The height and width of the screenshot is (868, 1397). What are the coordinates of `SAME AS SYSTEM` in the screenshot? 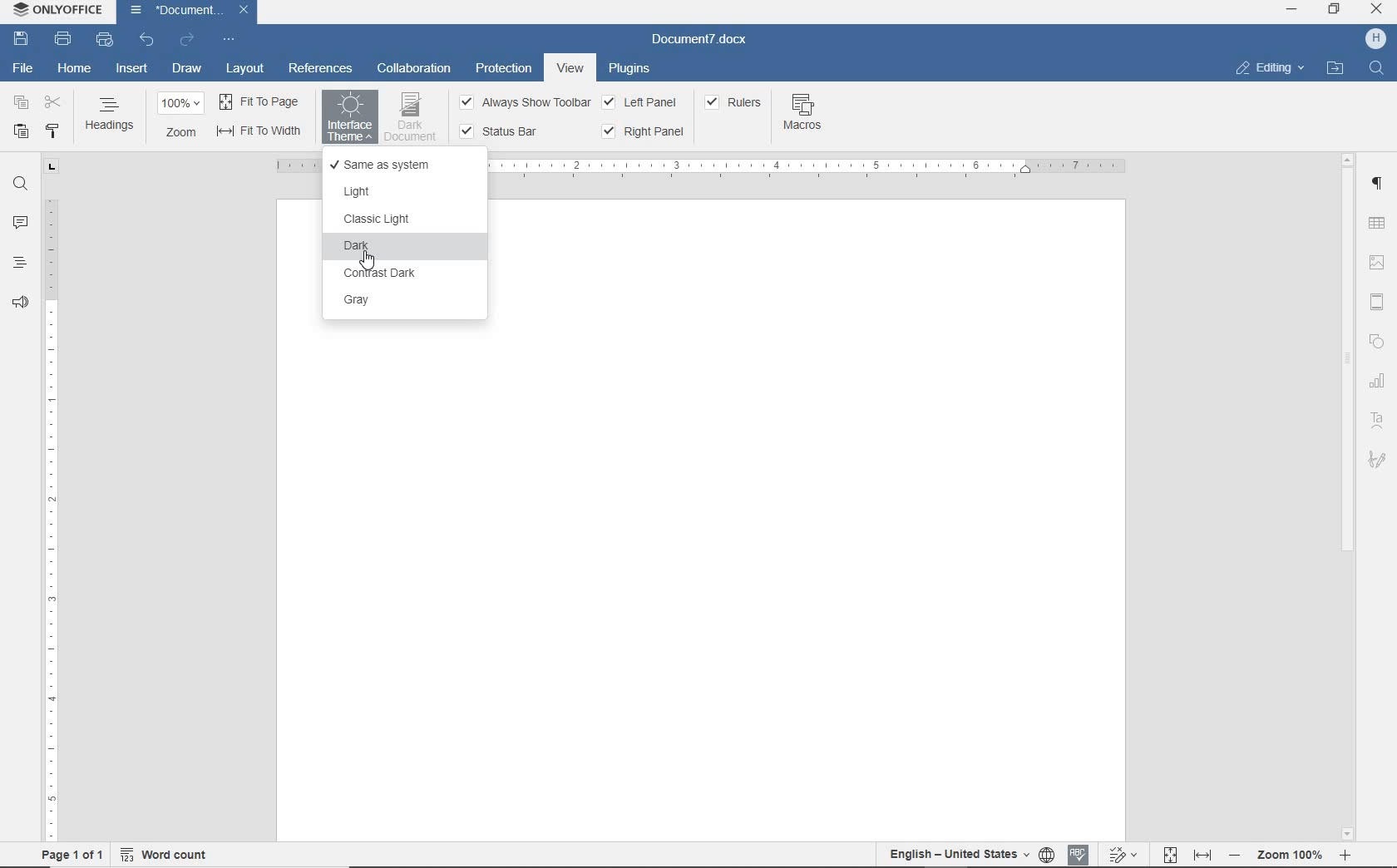 It's located at (397, 165).